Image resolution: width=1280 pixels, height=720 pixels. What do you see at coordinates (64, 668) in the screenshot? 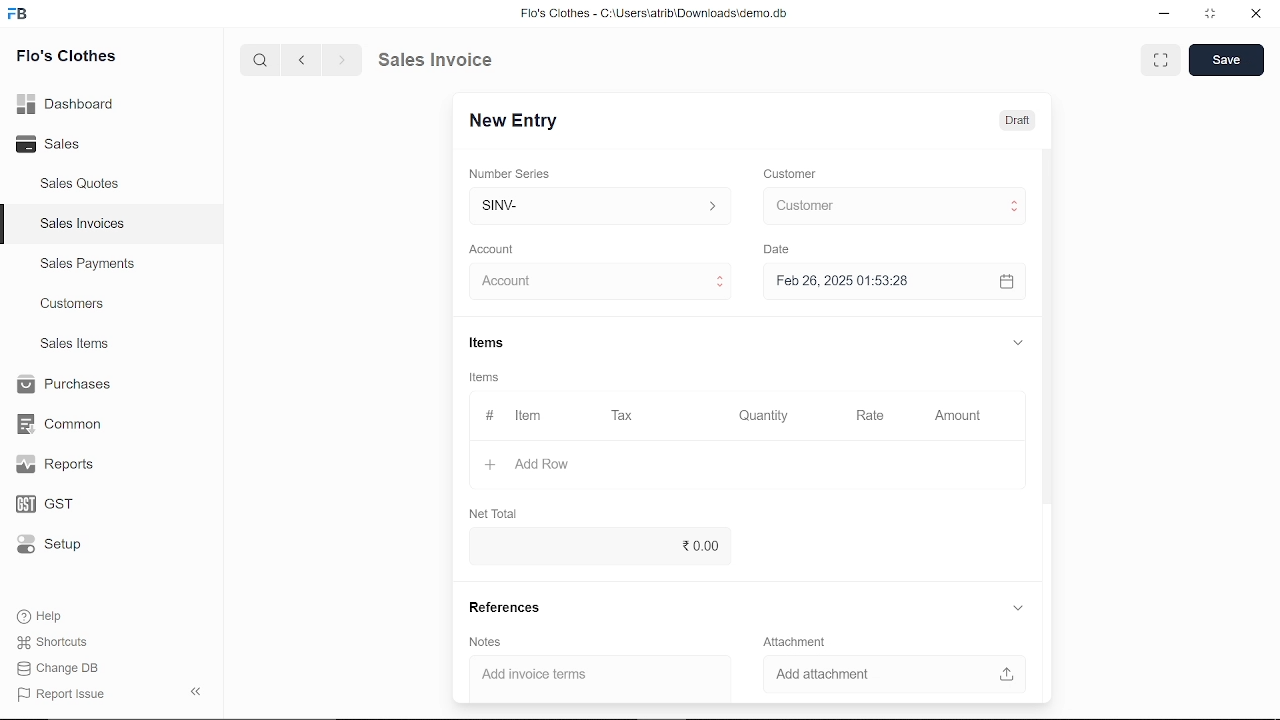
I see `Change DB` at bounding box center [64, 668].